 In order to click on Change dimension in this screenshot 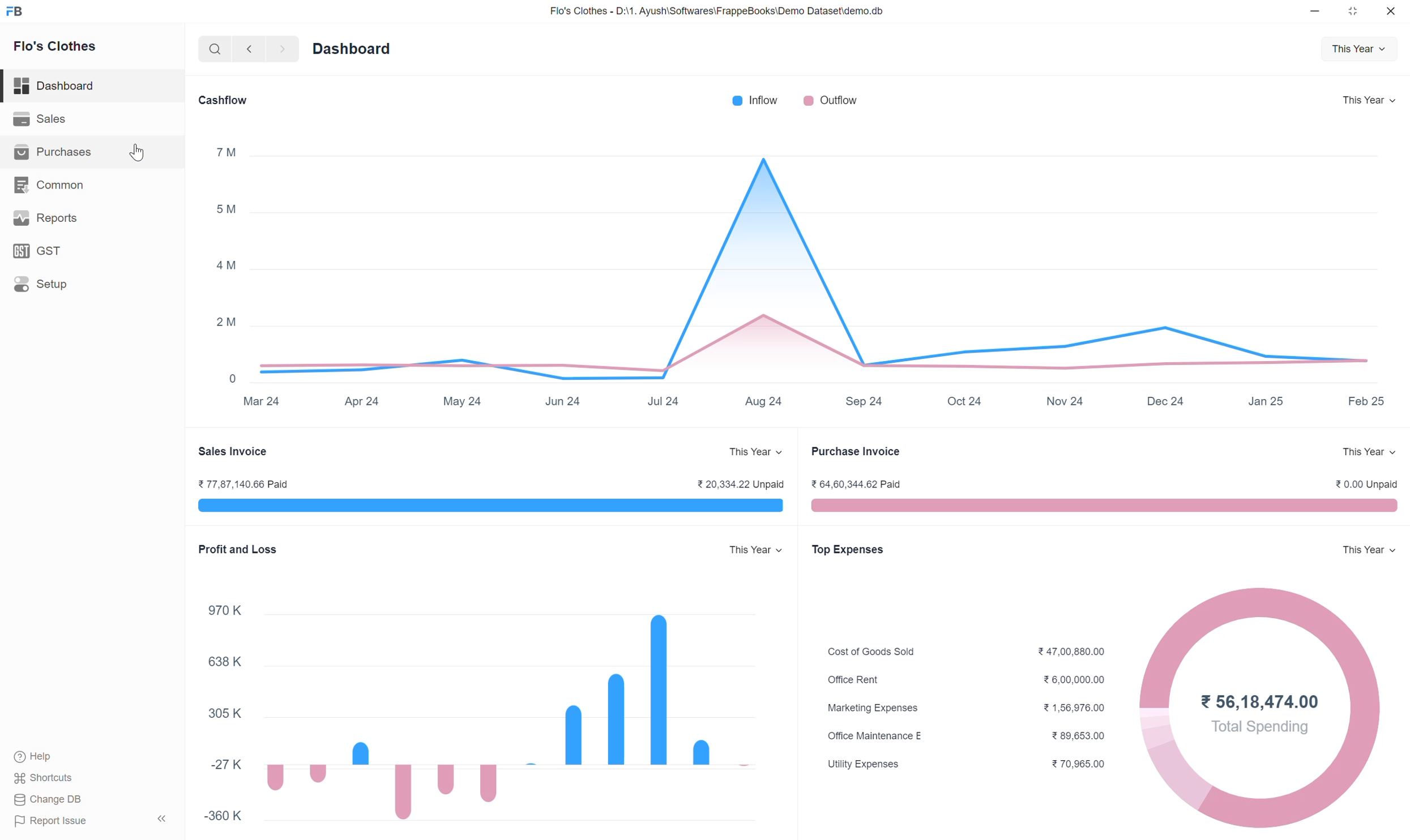, I will do `click(1353, 11)`.